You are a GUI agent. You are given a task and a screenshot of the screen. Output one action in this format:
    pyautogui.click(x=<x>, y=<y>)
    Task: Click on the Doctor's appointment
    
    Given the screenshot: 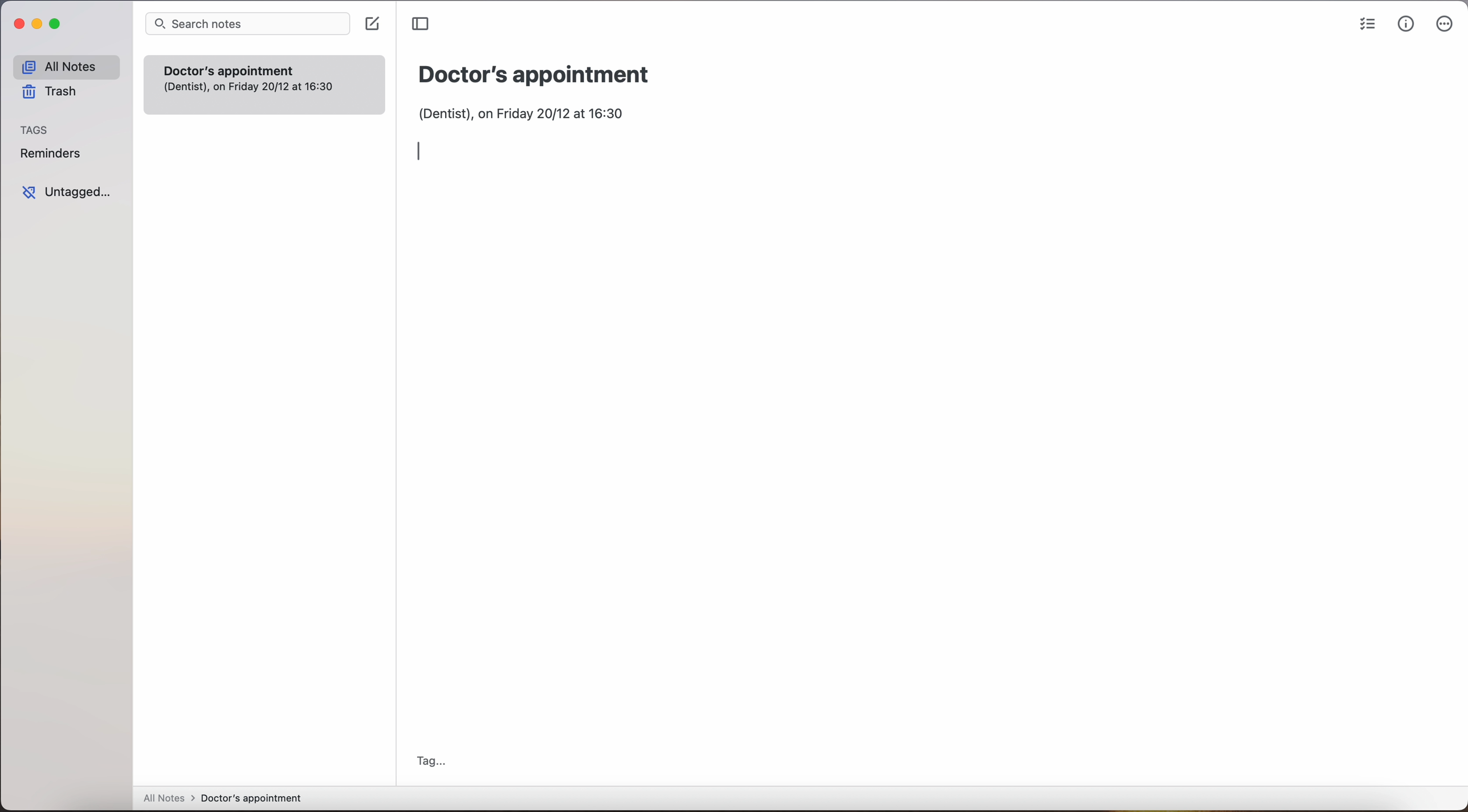 What is the action you would take?
    pyautogui.click(x=264, y=84)
    